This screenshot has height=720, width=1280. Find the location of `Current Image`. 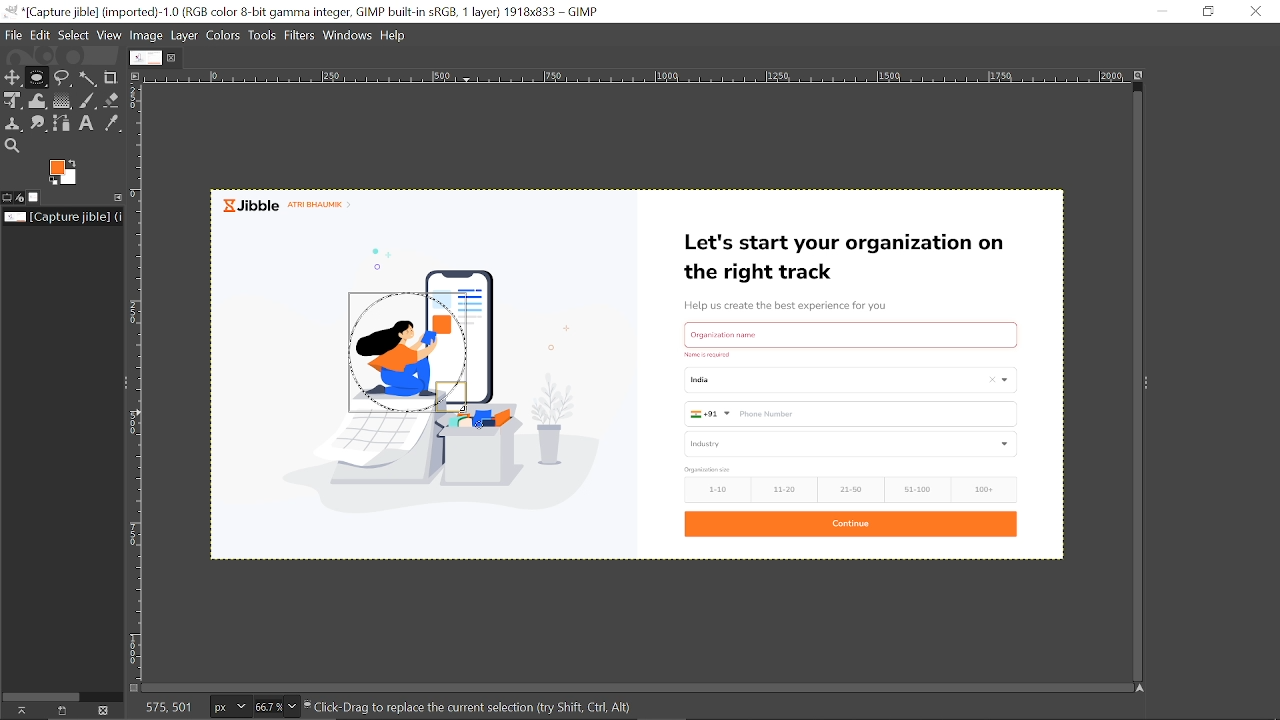

Current Image is located at coordinates (144, 57).